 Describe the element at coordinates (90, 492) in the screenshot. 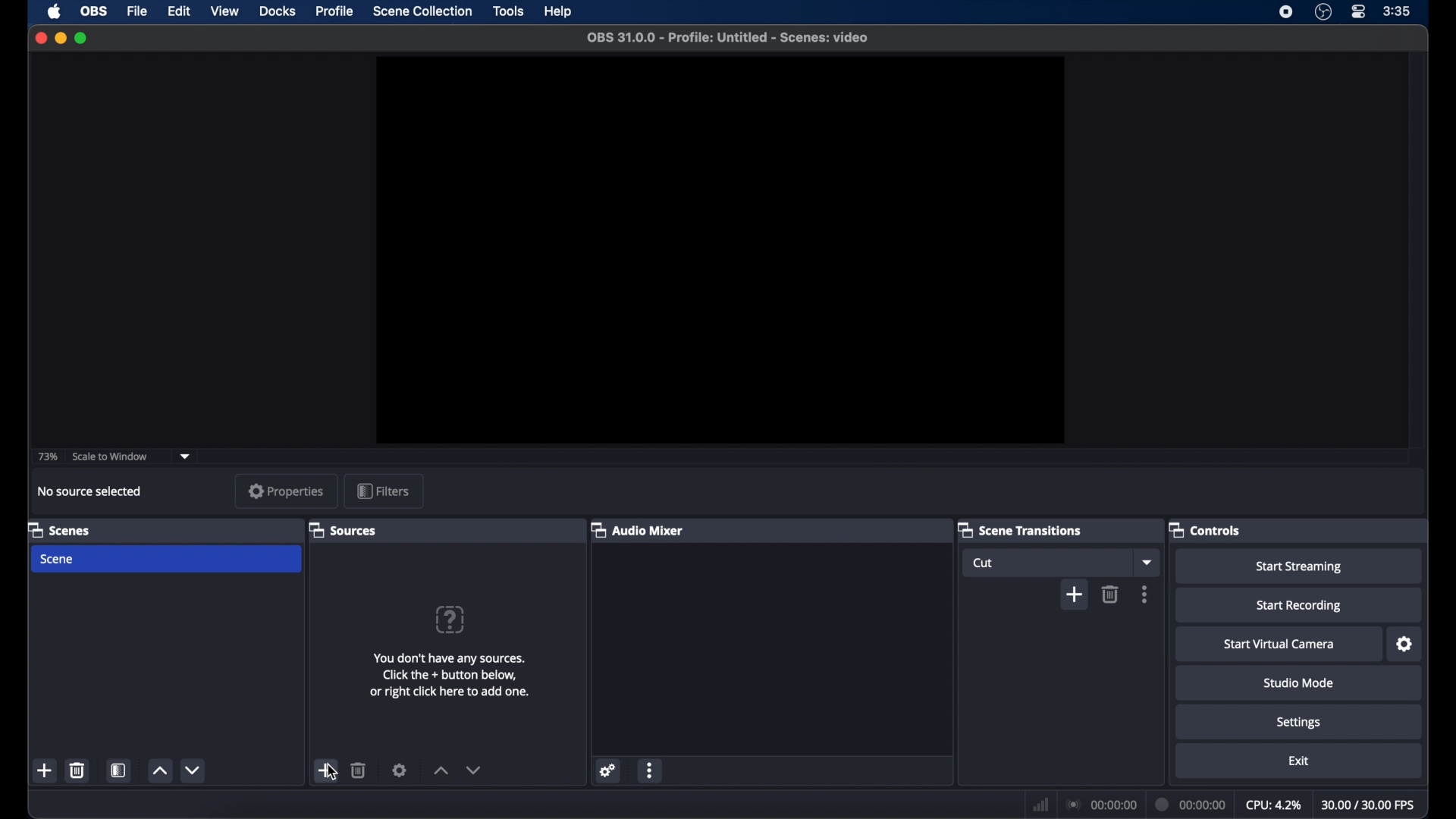

I see `no source selected` at that location.